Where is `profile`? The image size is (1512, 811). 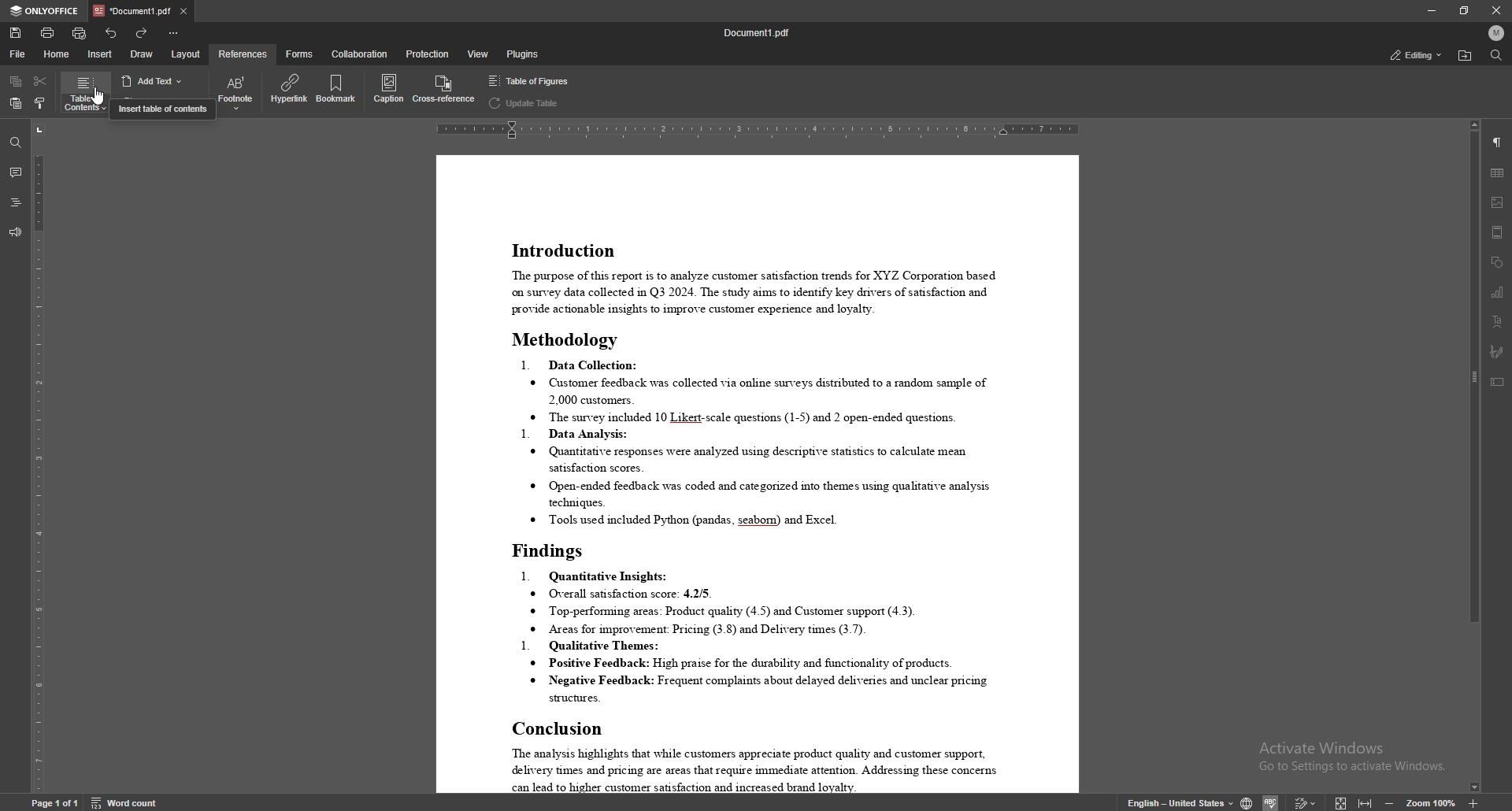 profile is located at coordinates (1498, 33).